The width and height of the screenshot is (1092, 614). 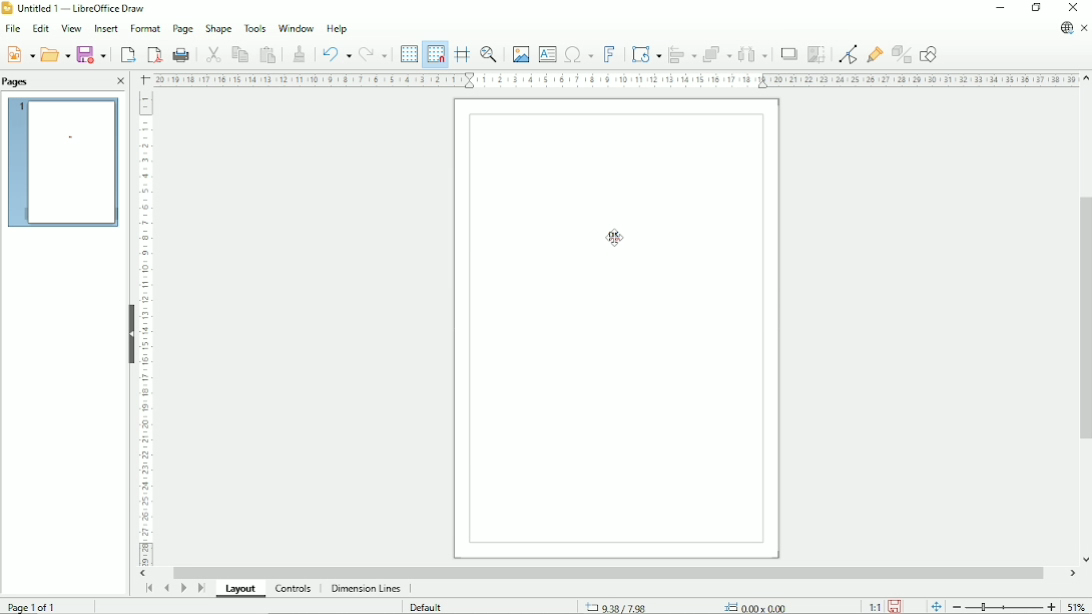 What do you see at coordinates (874, 606) in the screenshot?
I see `Scaling factor` at bounding box center [874, 606].